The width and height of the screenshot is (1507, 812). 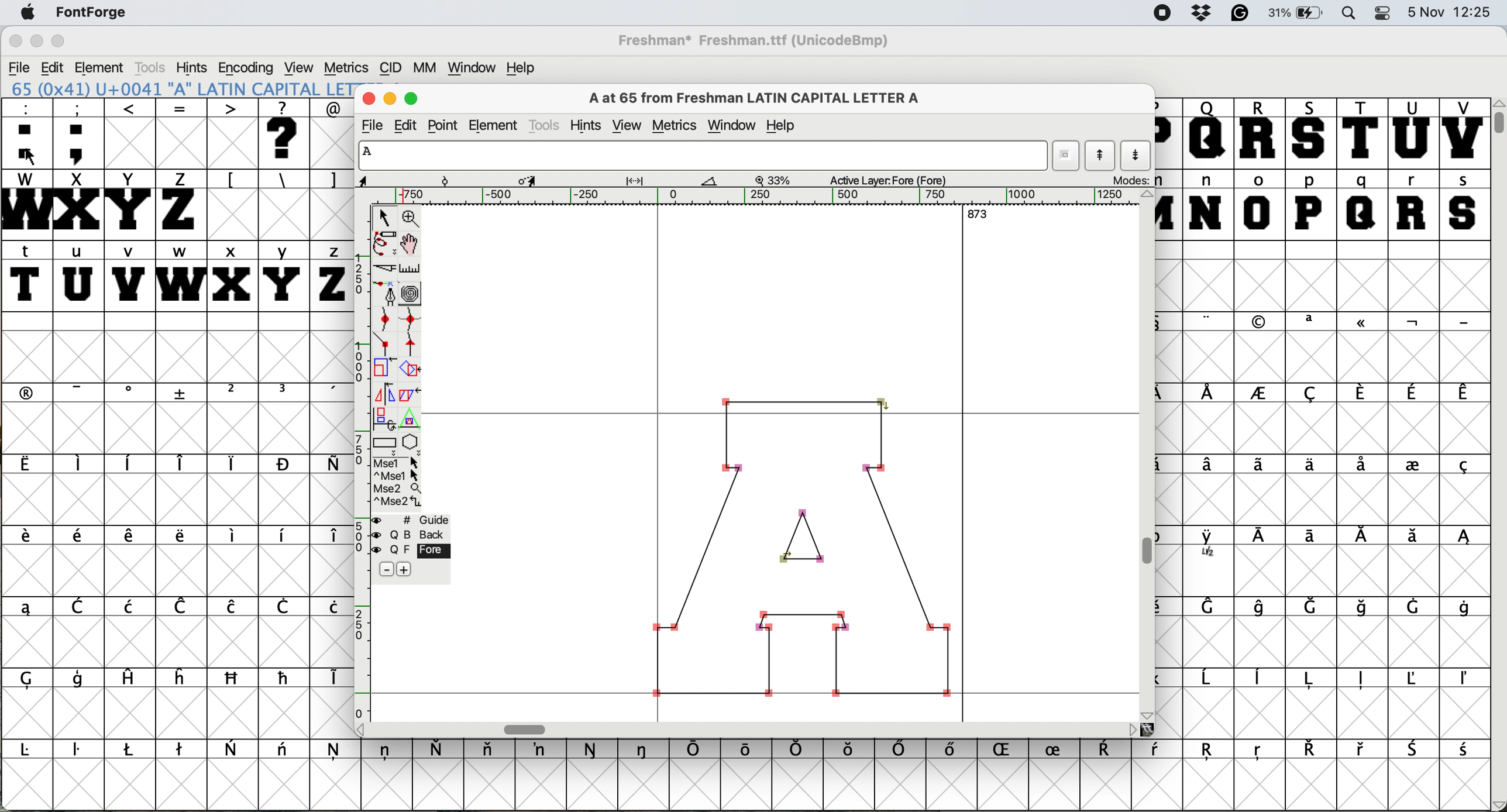 I want to click on T, so click(x=1360, y=132).